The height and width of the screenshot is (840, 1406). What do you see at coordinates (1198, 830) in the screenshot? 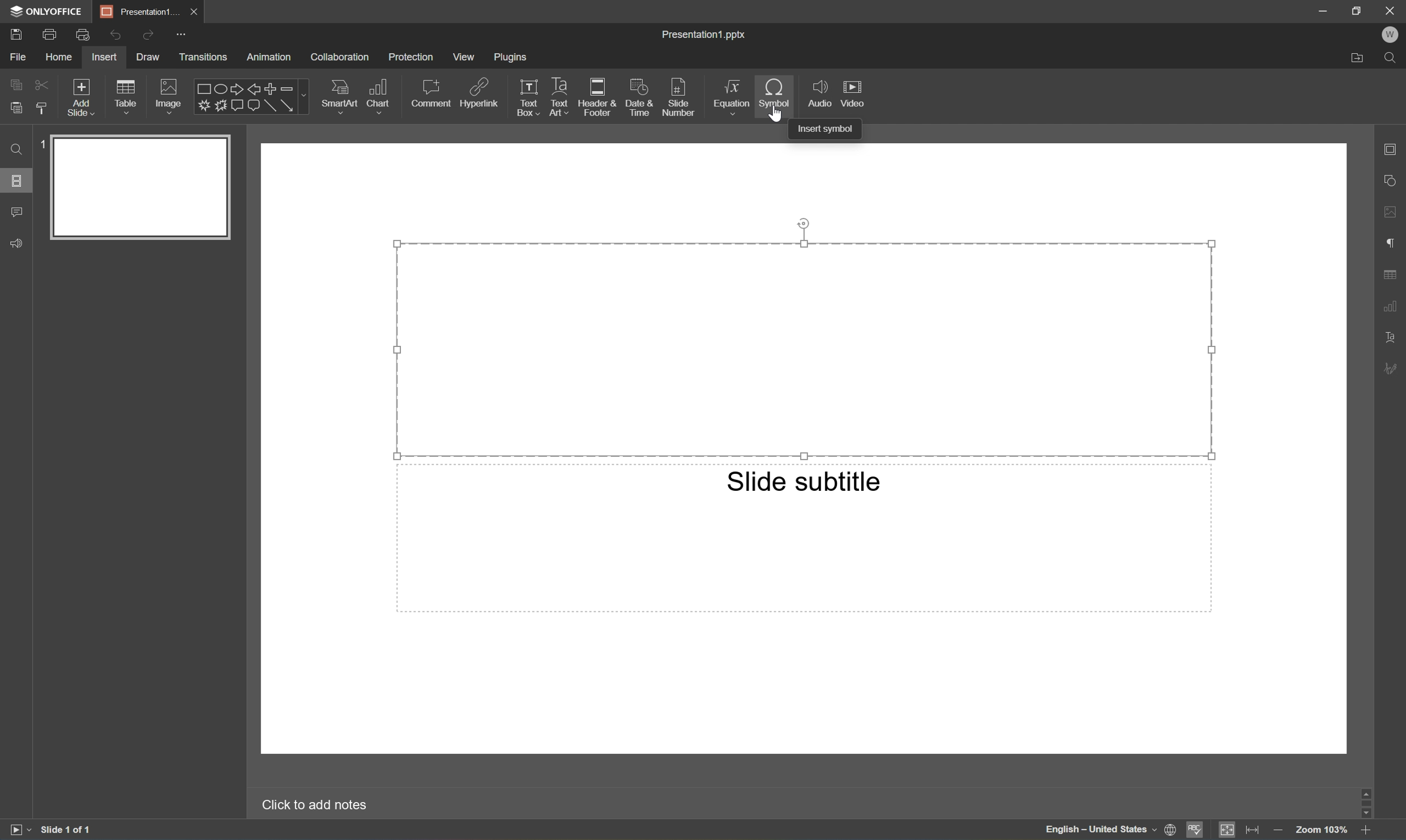
I see `Spell checking` at bounding box center [1198, 830].